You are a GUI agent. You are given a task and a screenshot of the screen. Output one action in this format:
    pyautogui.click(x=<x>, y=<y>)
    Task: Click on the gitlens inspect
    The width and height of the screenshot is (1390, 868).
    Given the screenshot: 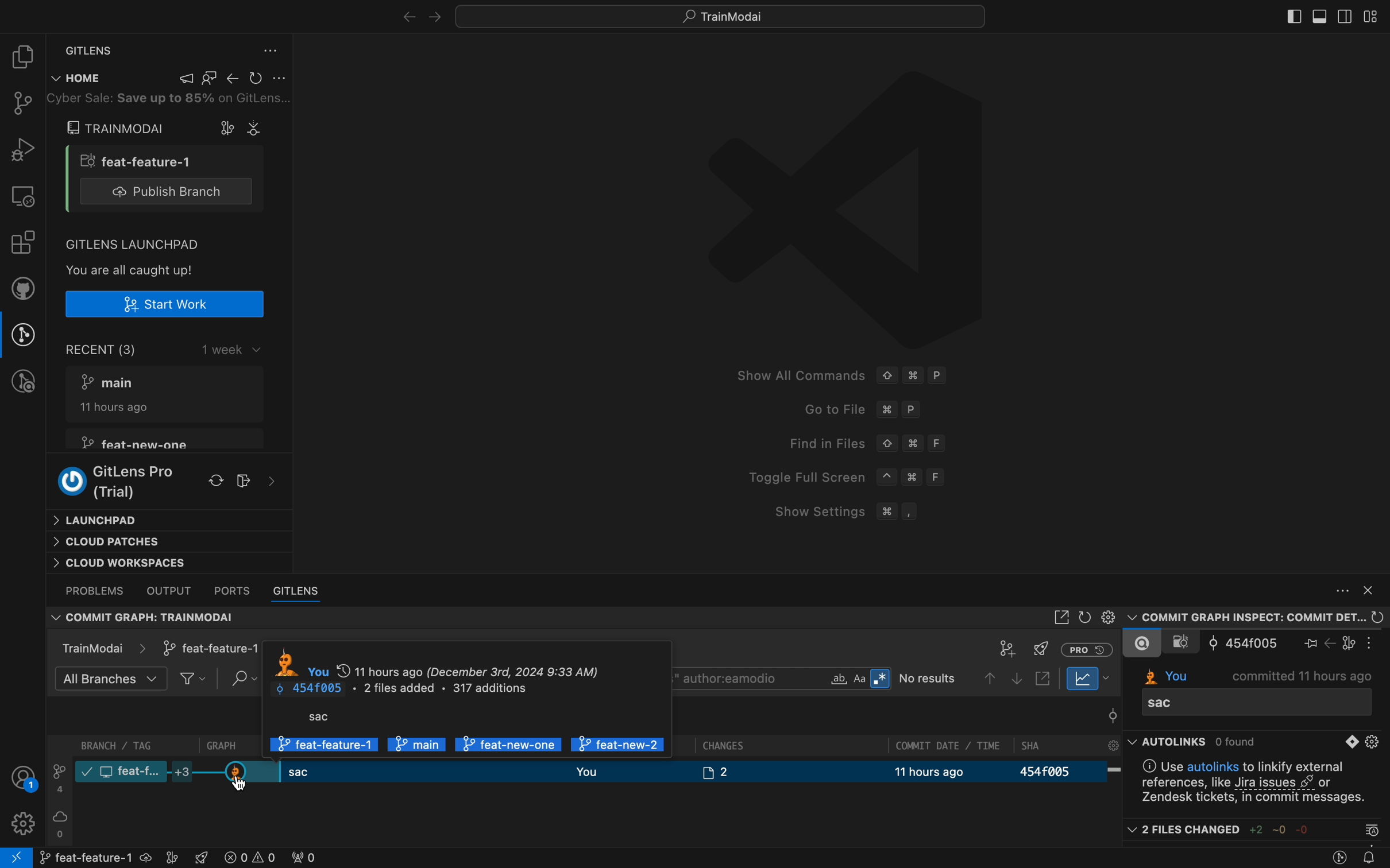 What is the action you would take?
    pyautogui.click(x=25, y=382)
    